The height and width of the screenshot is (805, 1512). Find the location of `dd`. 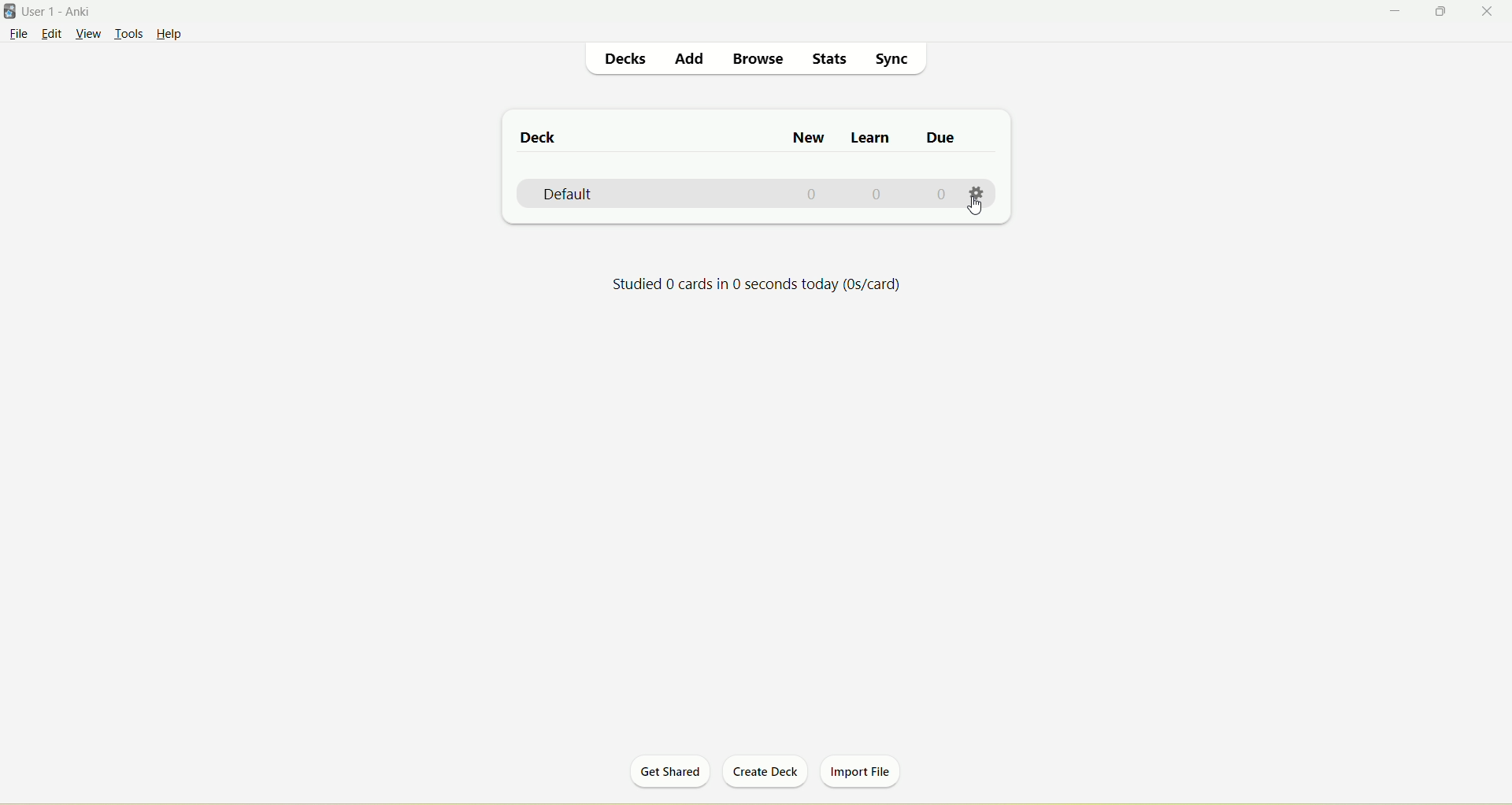

dd is located at coordinates (691, 61).